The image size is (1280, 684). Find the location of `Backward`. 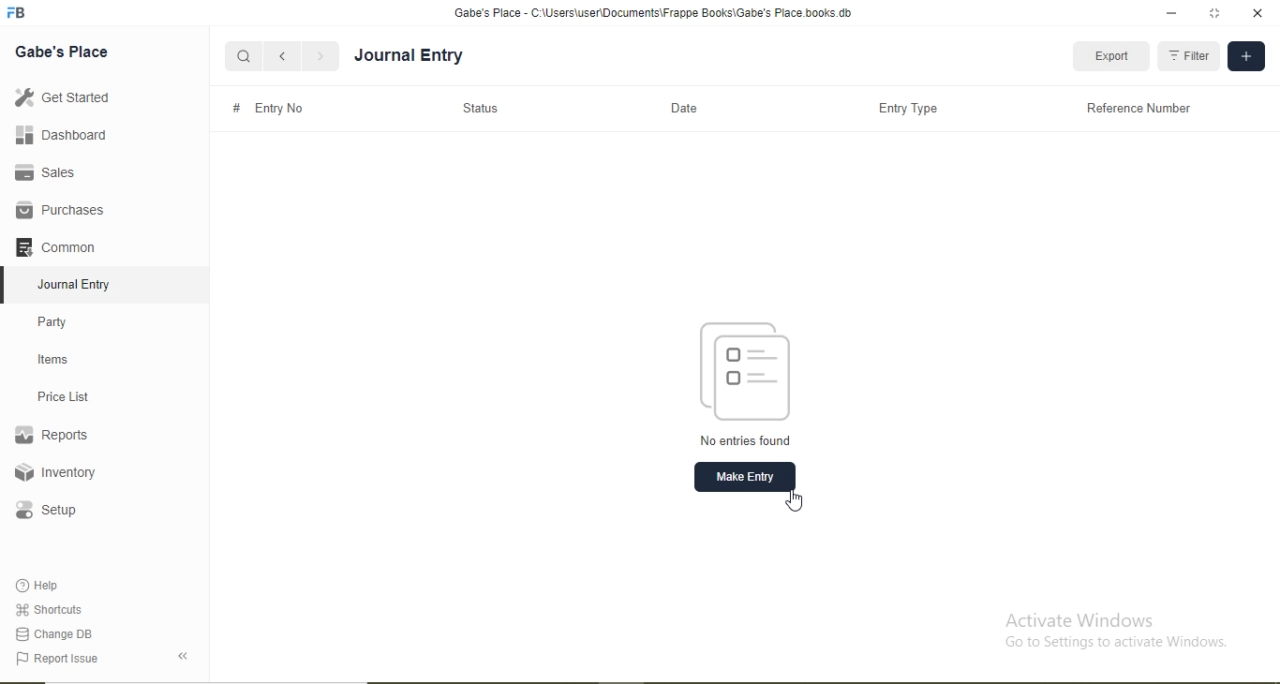

Backward is located at coordinates (282, 57).